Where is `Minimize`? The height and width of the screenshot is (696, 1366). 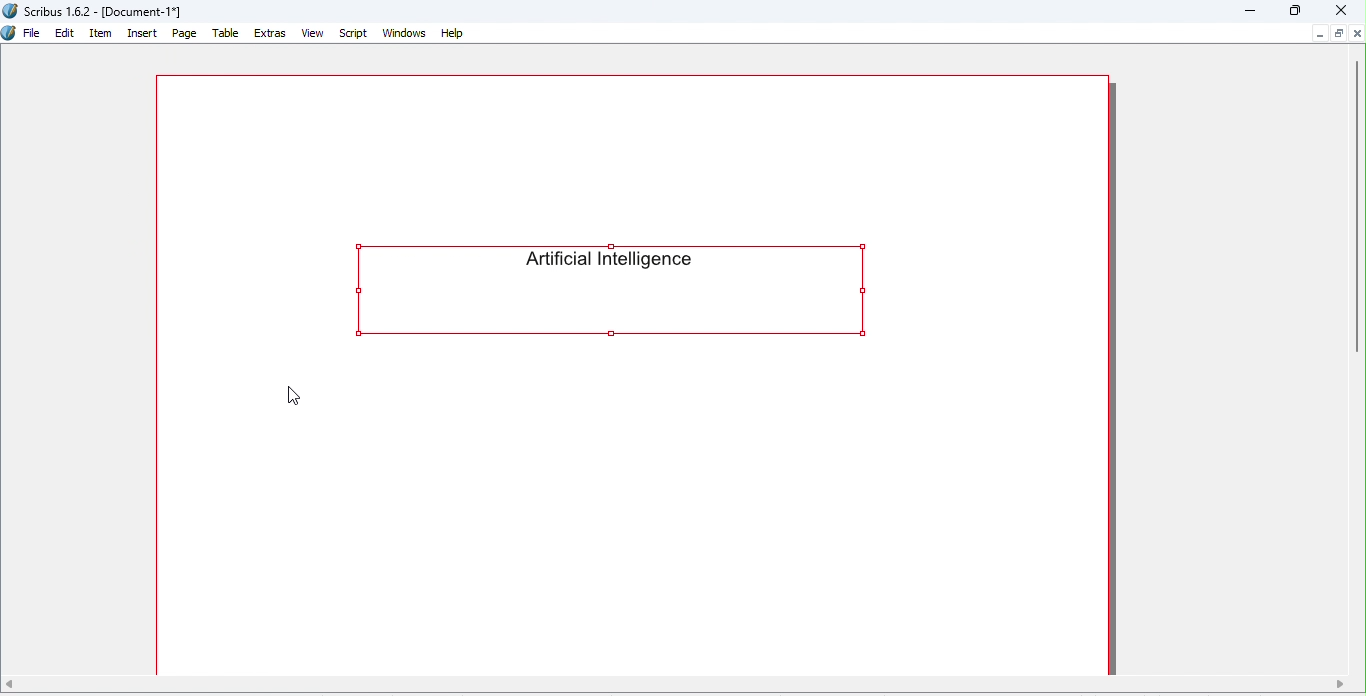
Minimize is located at coordinates (1318, 33).